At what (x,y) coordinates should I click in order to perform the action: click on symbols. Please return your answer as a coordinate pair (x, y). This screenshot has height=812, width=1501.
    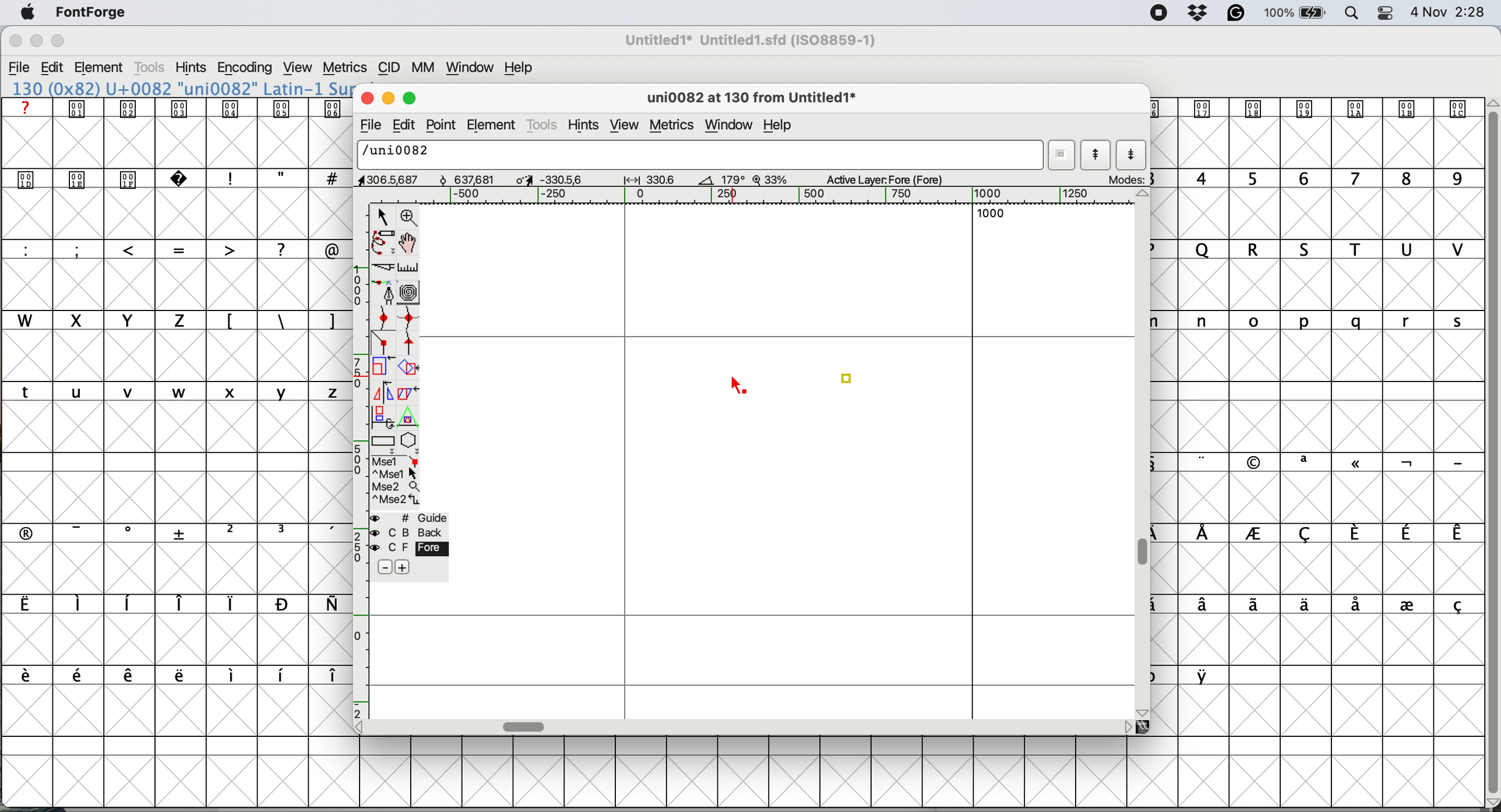
    Looking at the image, I should click on (179, 108).